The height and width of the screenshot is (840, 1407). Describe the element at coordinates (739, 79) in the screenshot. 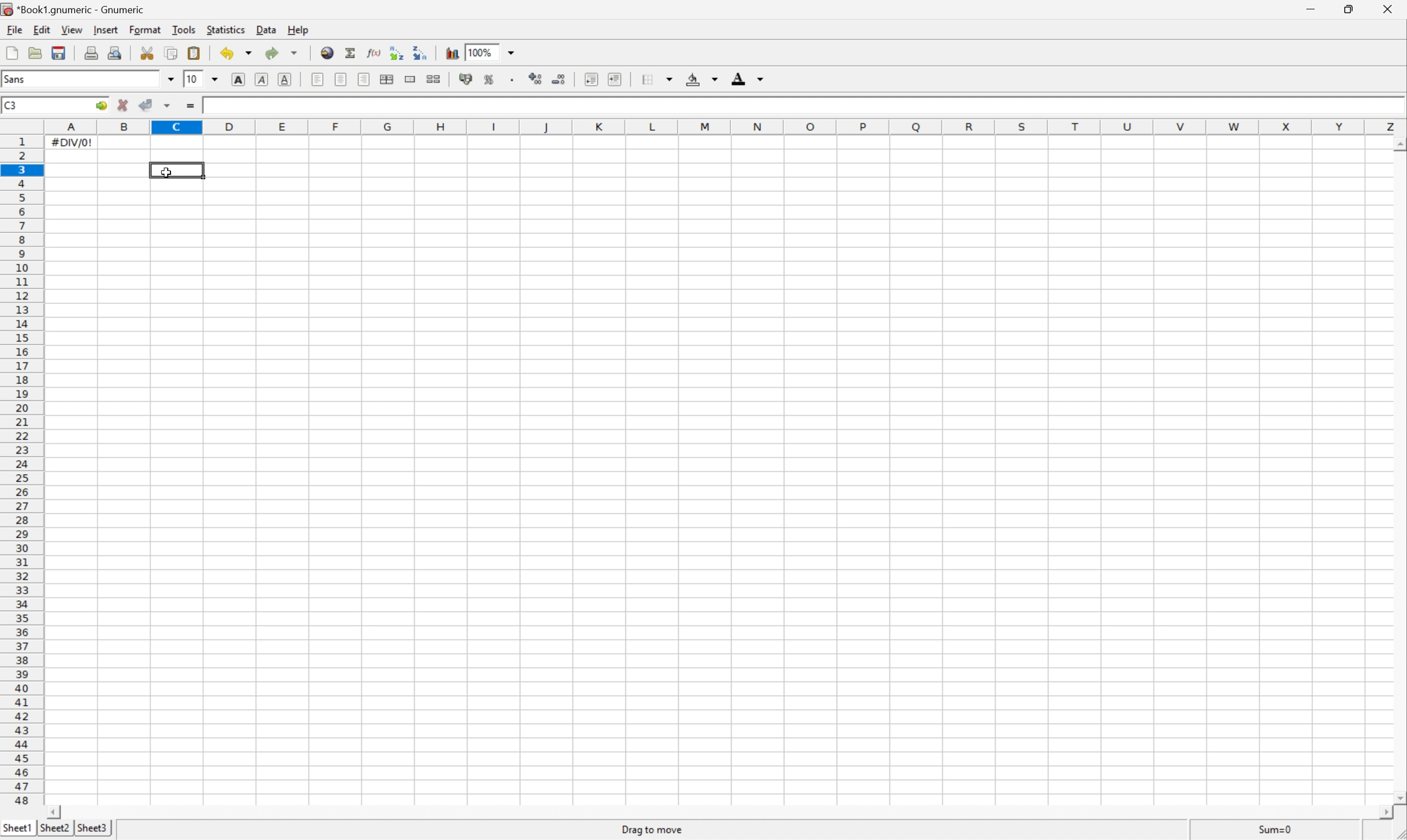

I see `Foreground` at that location.